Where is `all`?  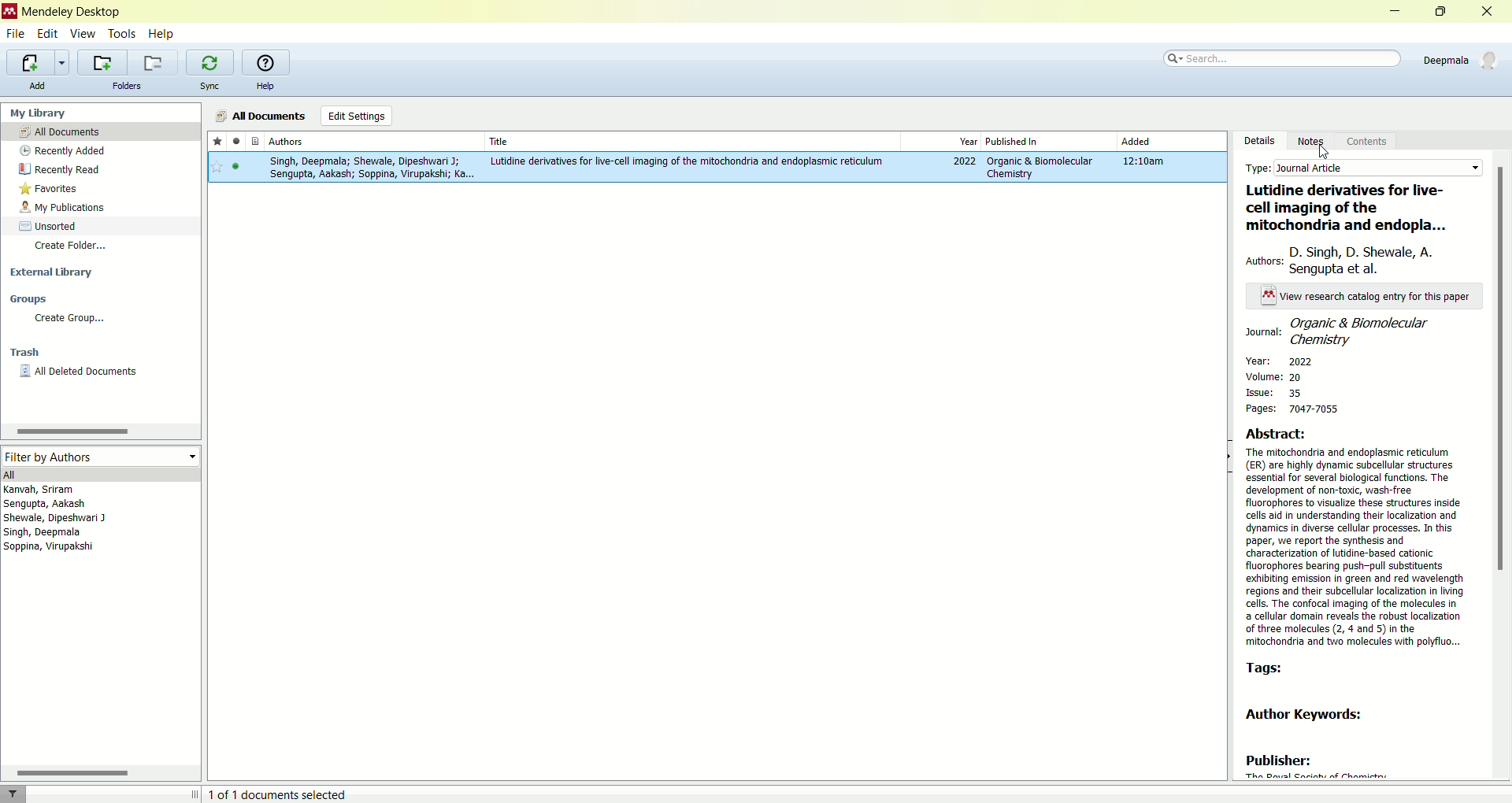 all is located at coordinates (101, 474).